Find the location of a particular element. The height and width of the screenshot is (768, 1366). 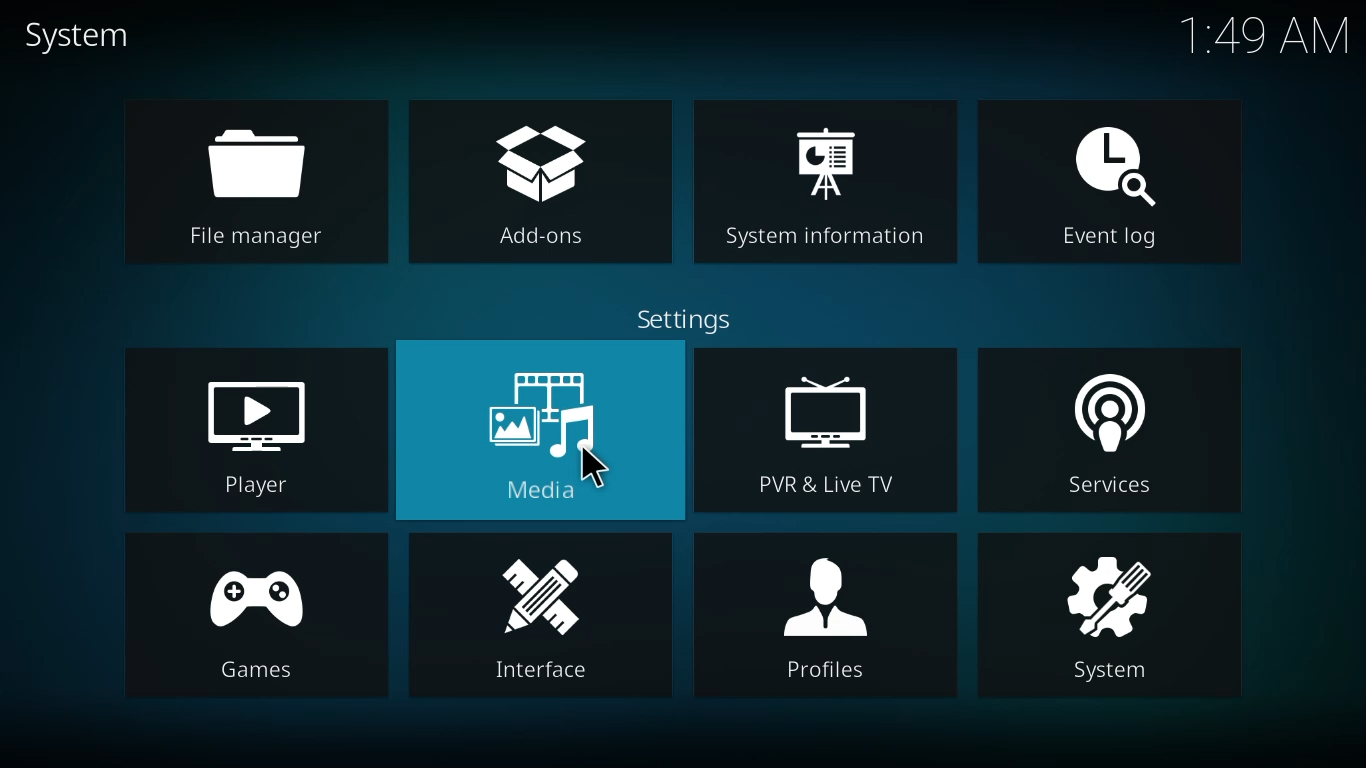

interface is located at coordinates (535, 621).